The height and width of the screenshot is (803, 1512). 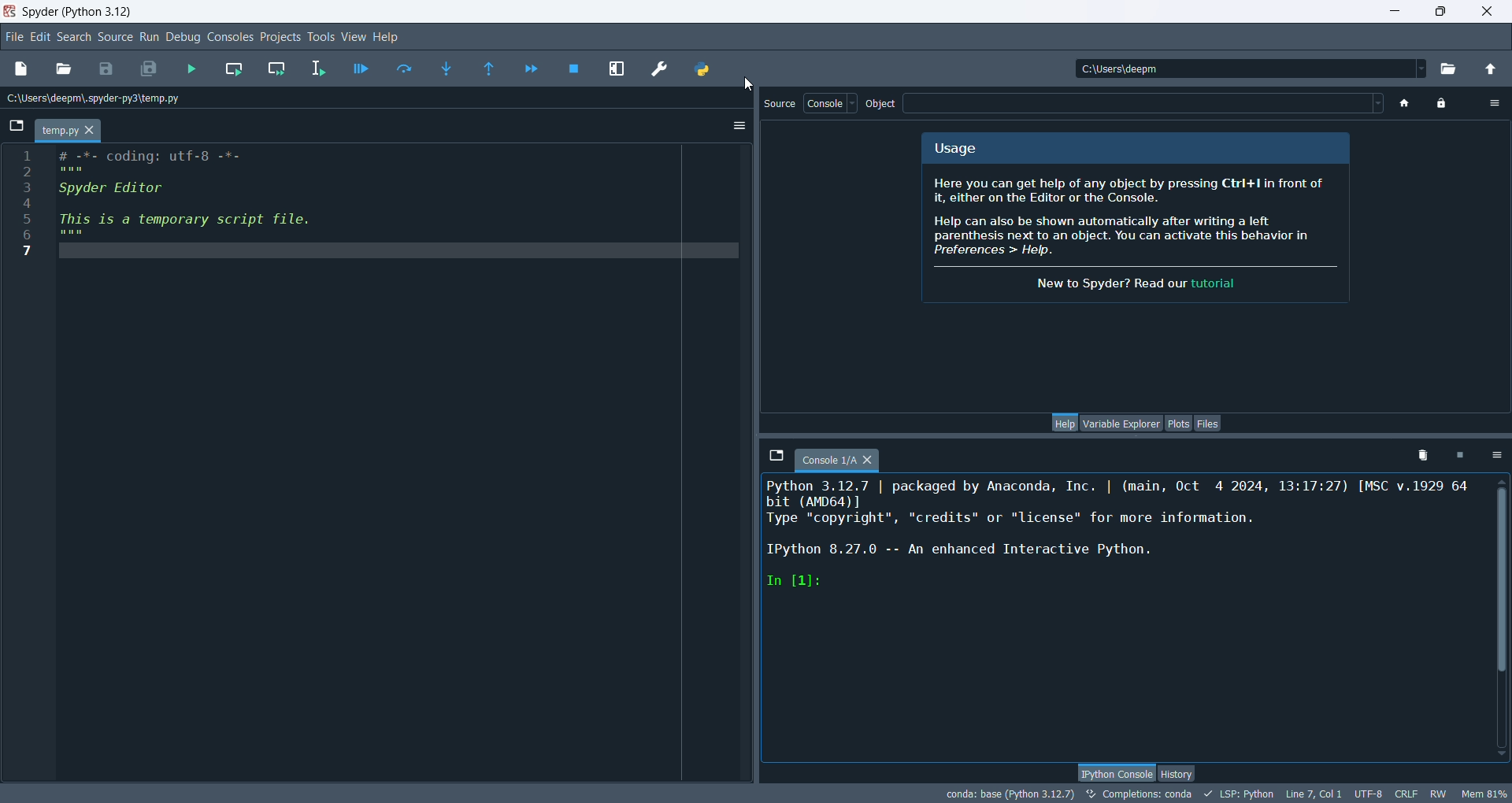 What do you see at coordinates (115, 37) in the screenshot?
I see `source` at bounding box center [115, 37].